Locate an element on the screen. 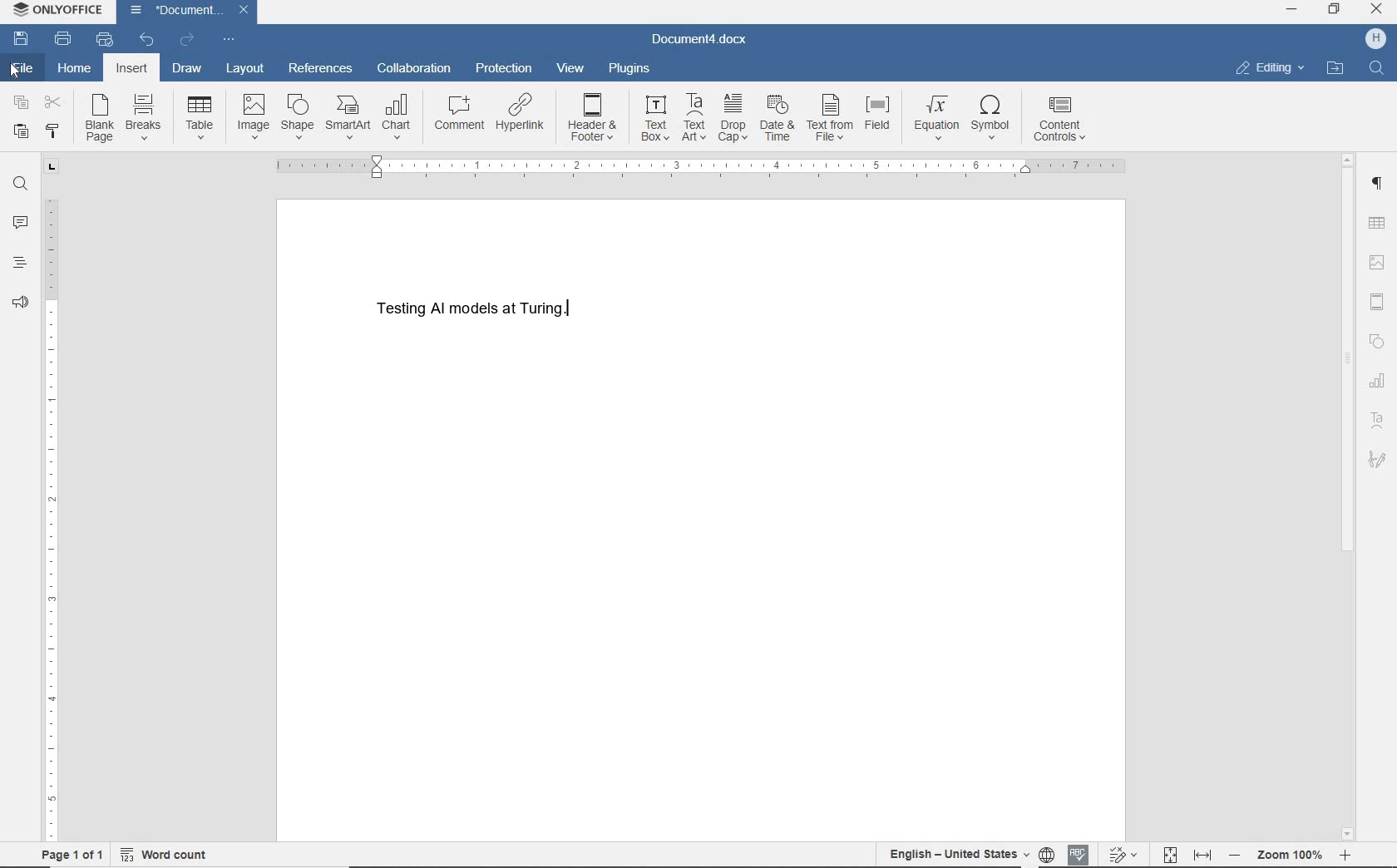  protection is located at coordinates (504, 66).